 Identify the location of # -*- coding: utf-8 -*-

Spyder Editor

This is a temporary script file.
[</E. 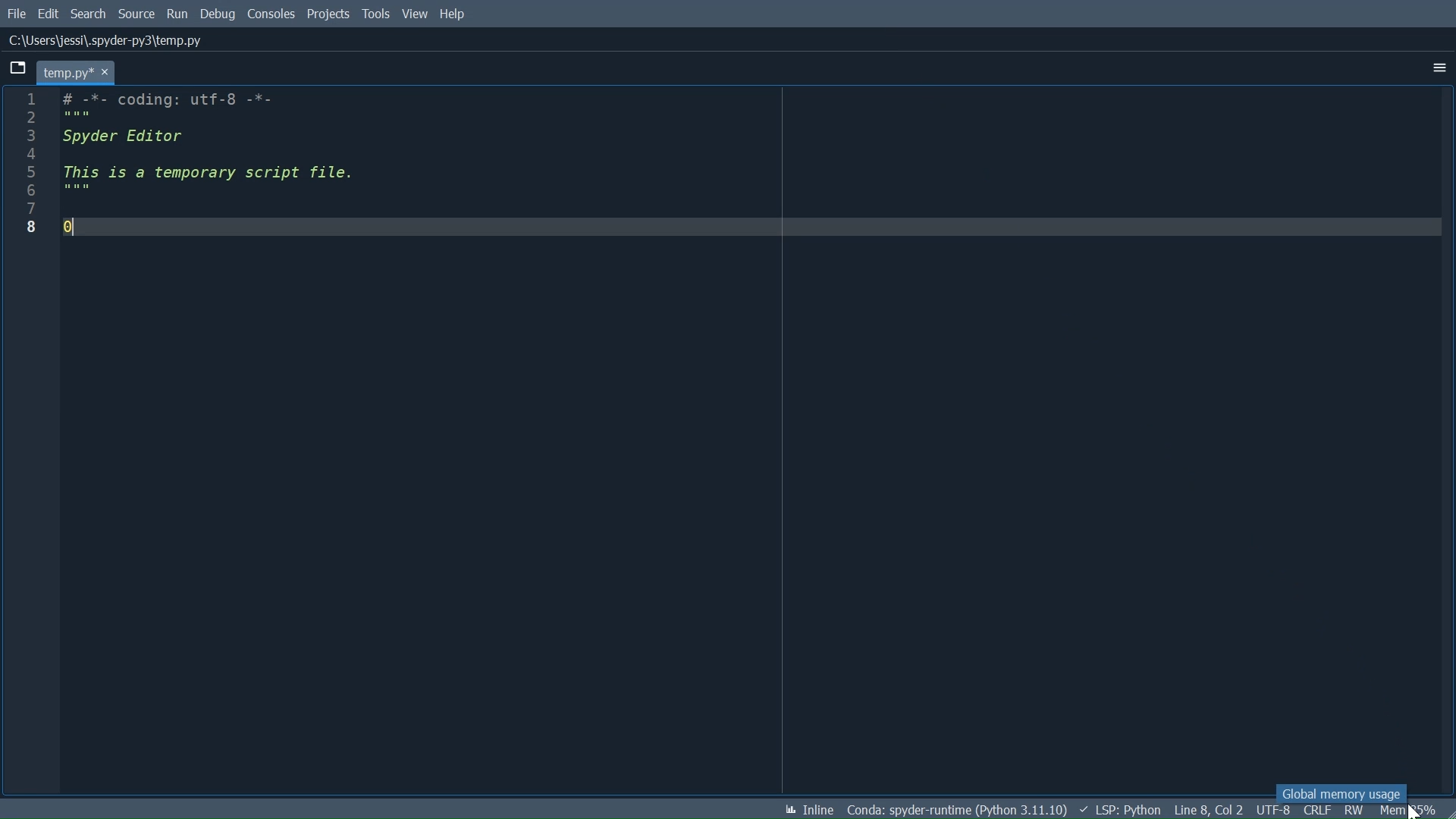
(751, 169).